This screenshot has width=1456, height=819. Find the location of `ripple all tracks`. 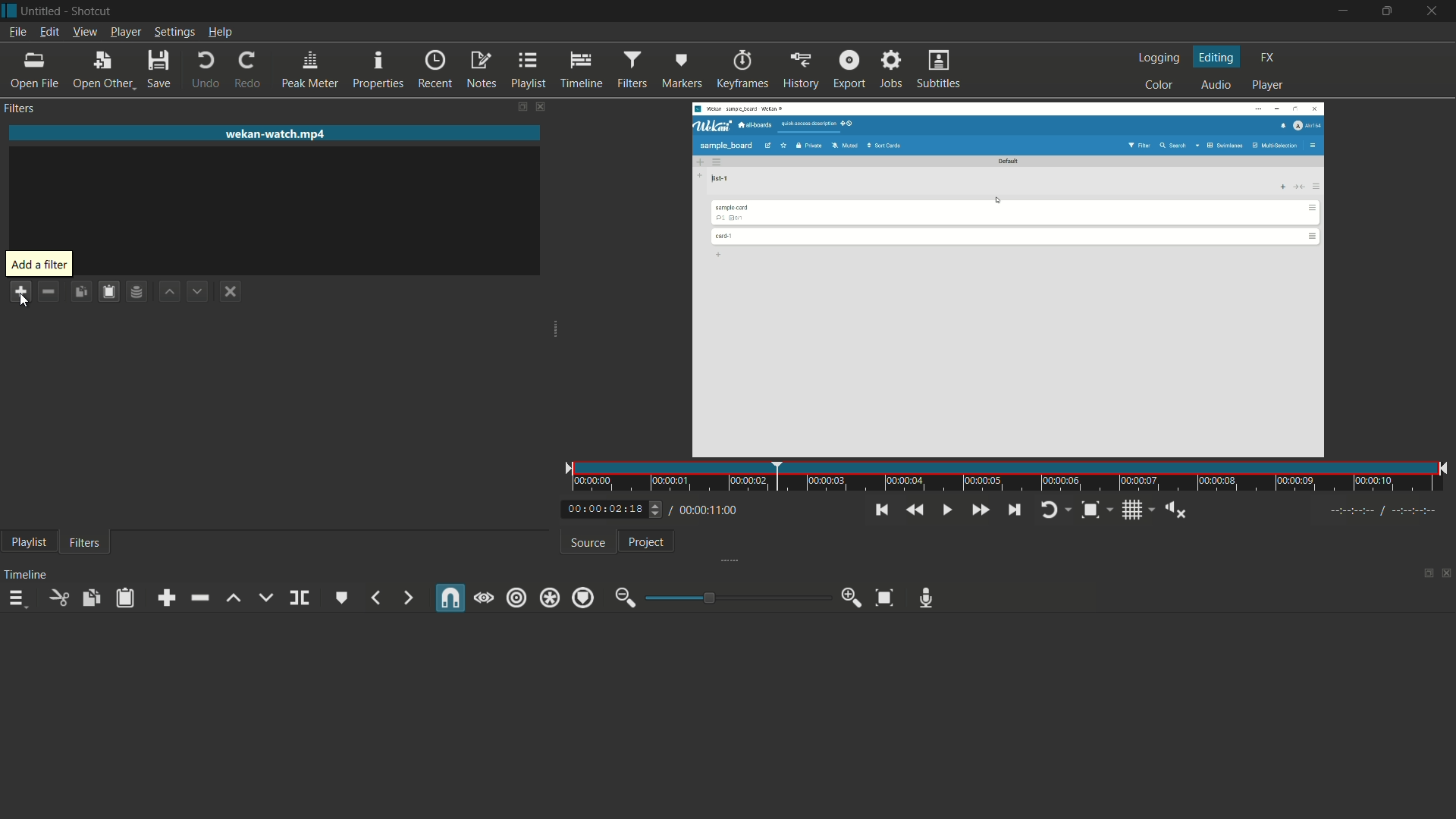

ripple all tracks is located at coordinates (550, 598).